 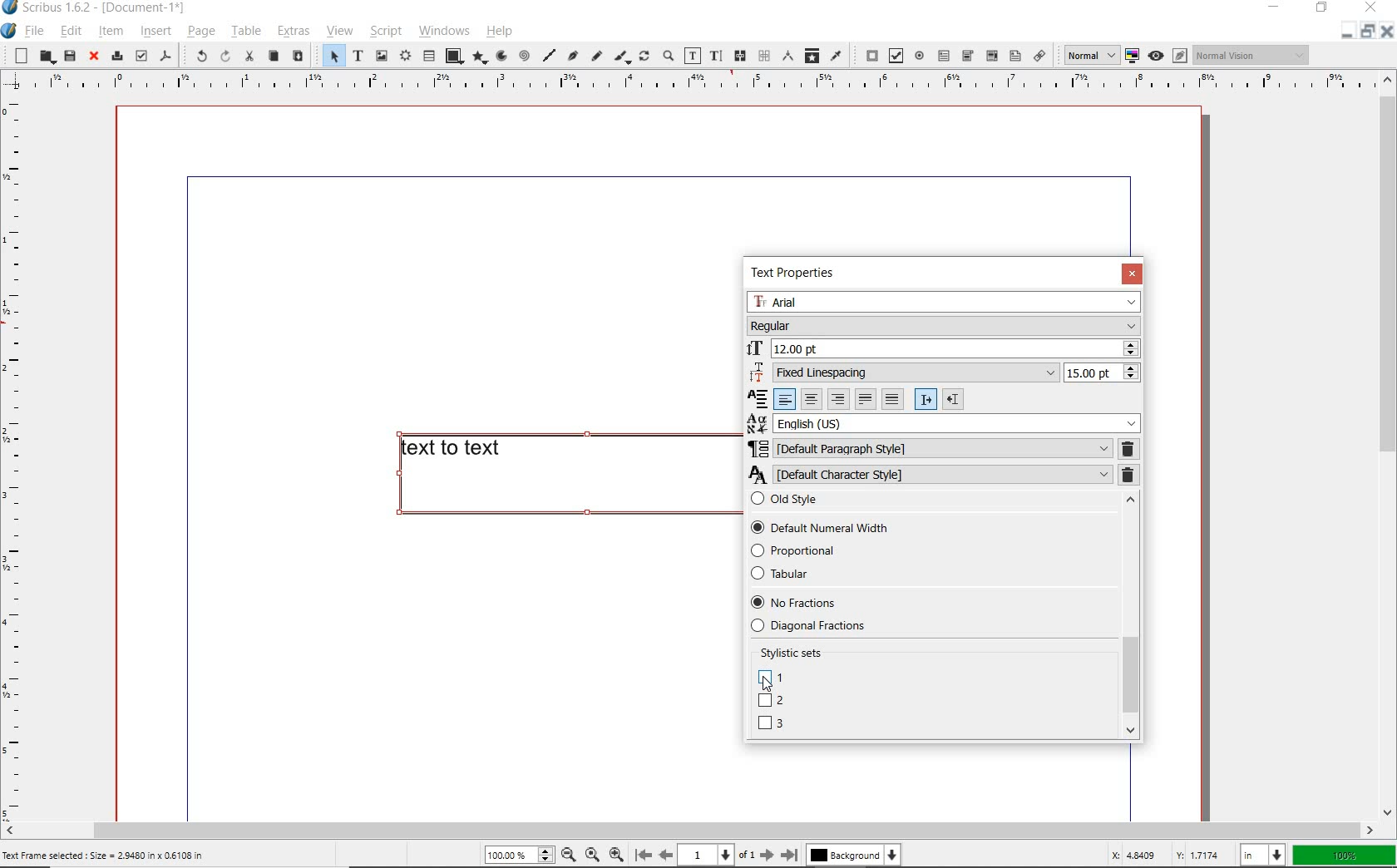 I want to click on pdf check box, so click(x=895, y=56).